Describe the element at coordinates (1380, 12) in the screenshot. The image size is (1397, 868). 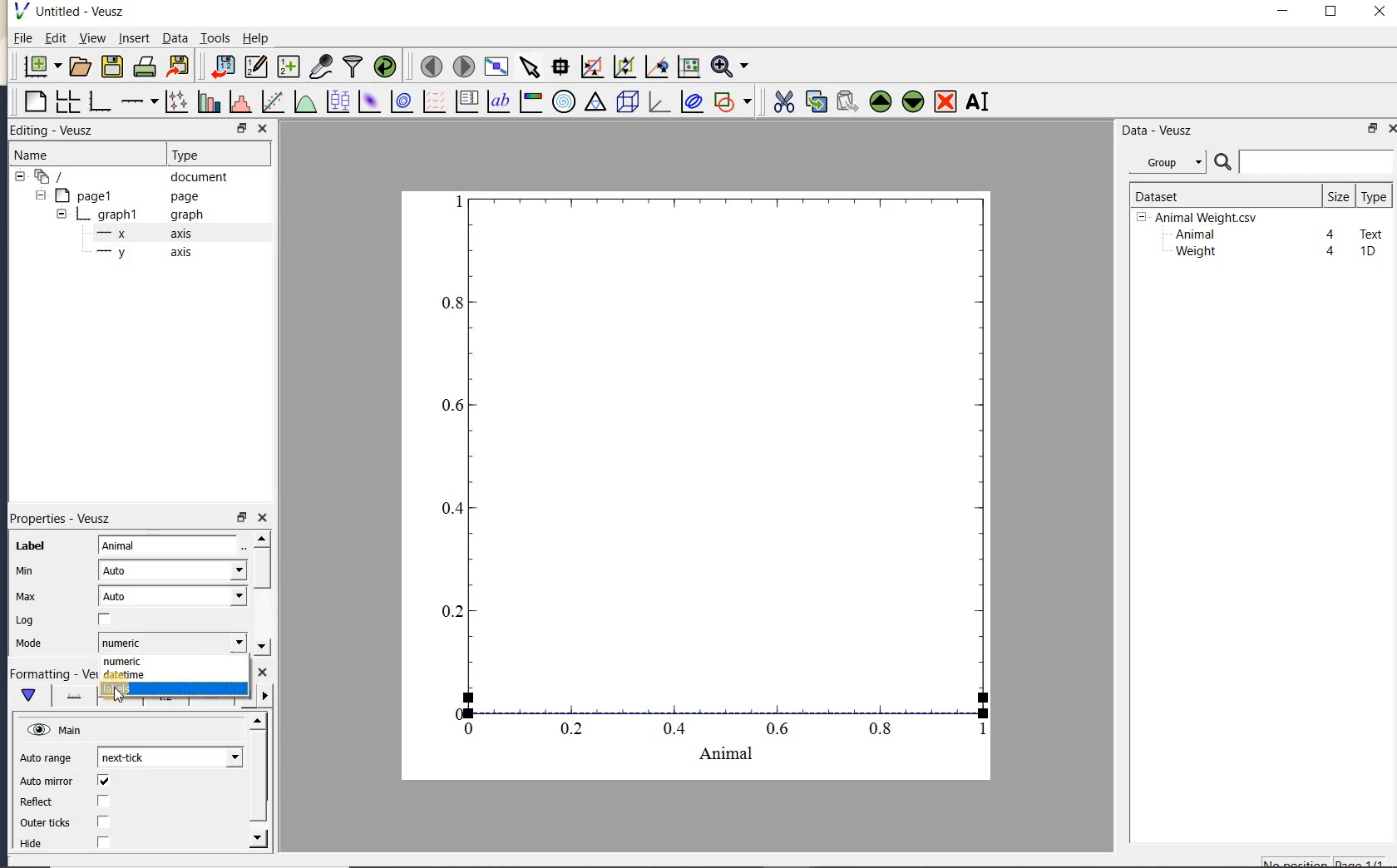
I see `close` at that location.